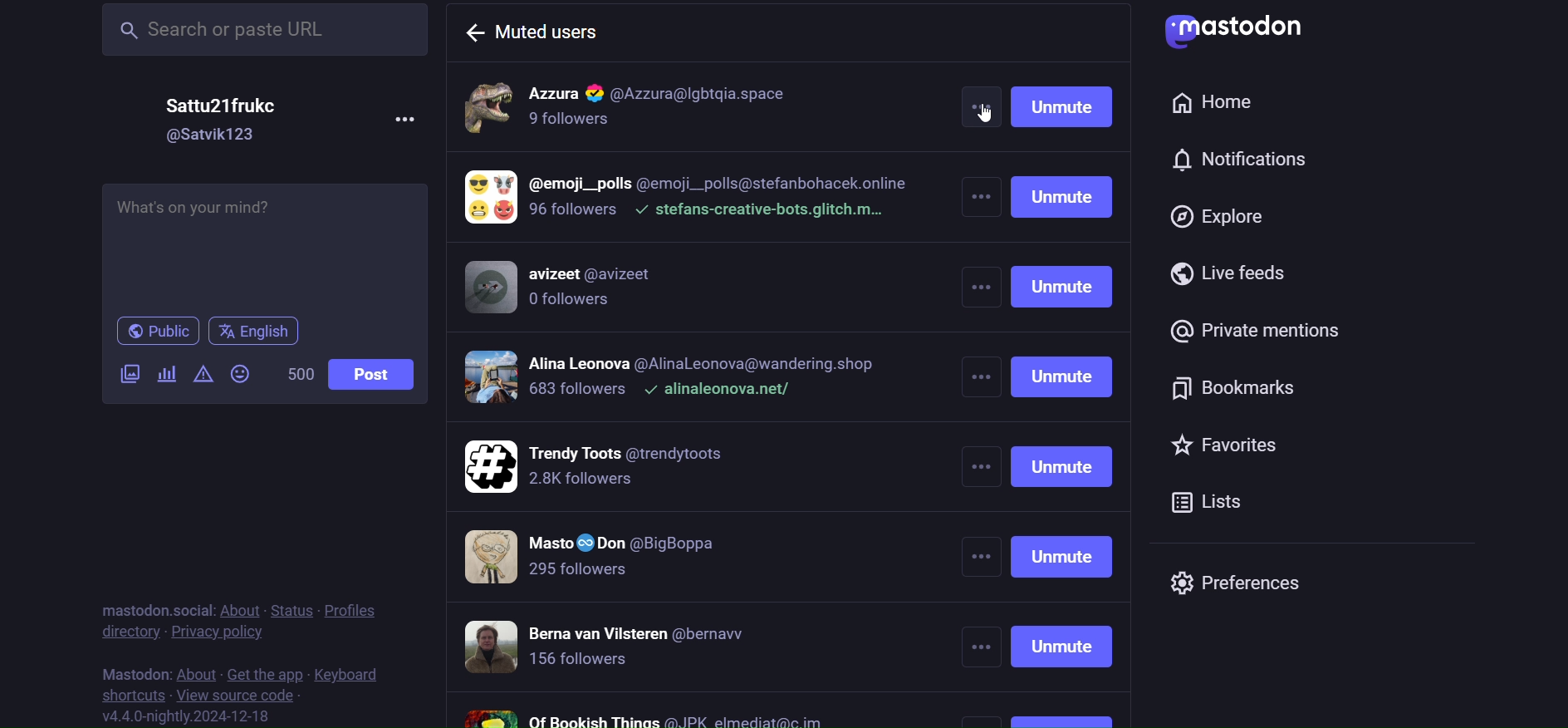 The height and width of the screenshot is (728, 1568). I want to click on word limit, so click(304, 371).